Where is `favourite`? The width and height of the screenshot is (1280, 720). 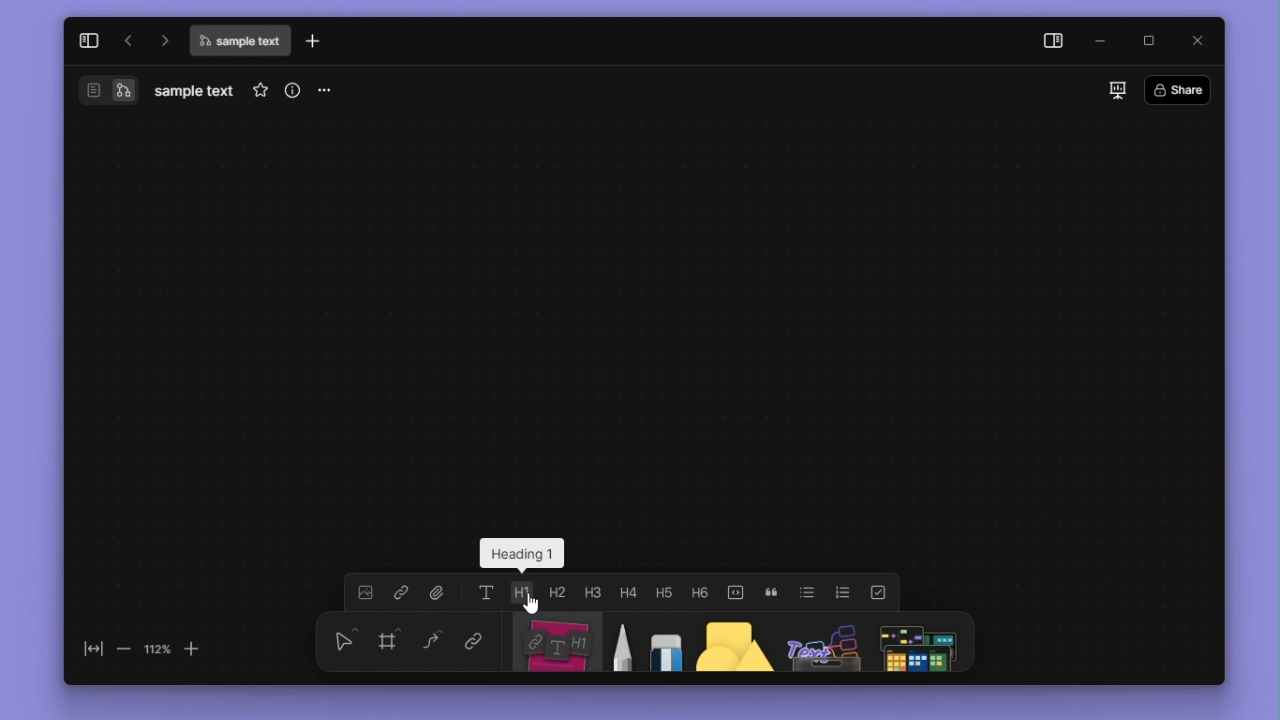 favourite is located at coordinates (260, 90).